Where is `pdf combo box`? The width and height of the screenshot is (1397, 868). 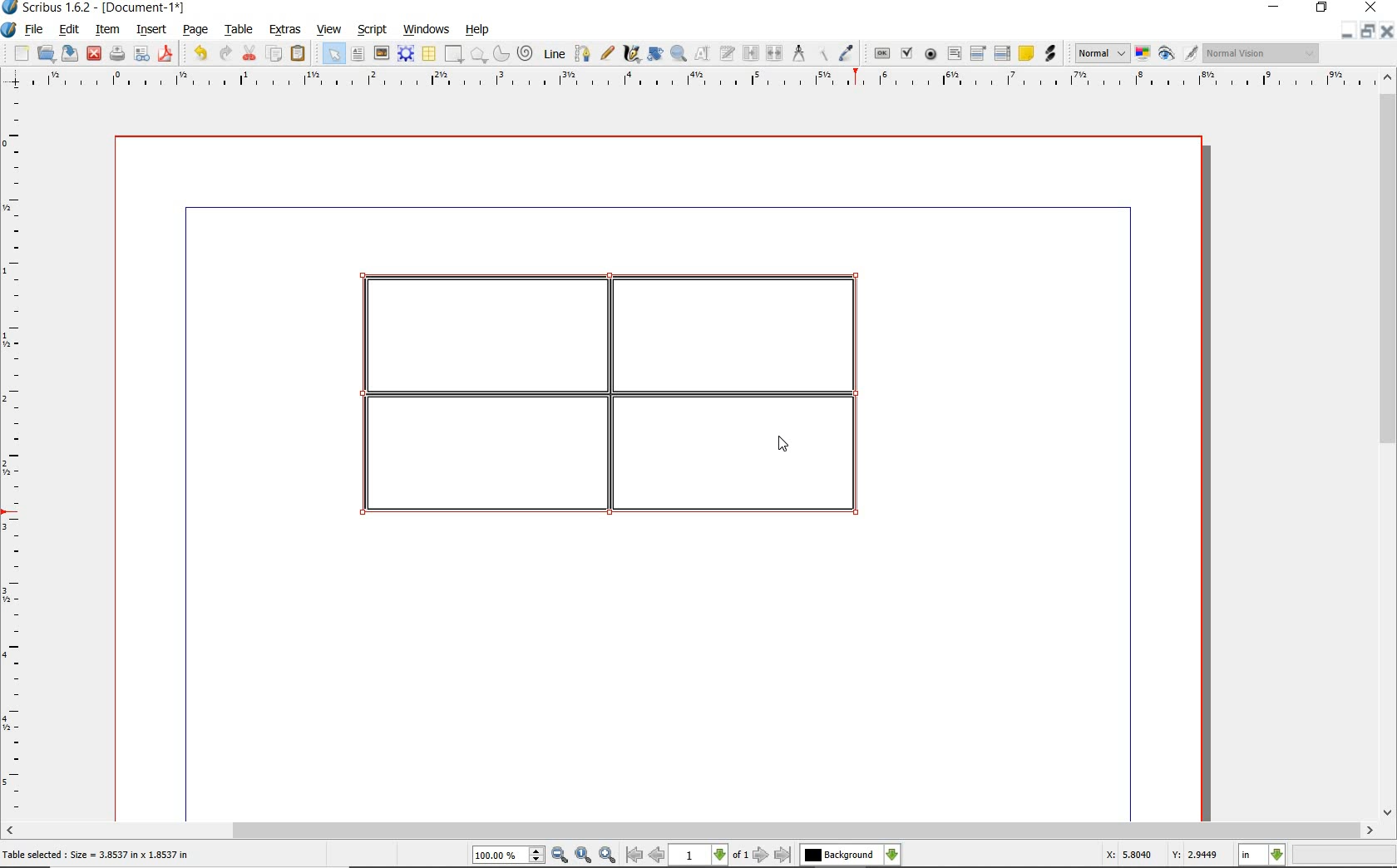 pdf combo box is located at coordinates (980, 54).